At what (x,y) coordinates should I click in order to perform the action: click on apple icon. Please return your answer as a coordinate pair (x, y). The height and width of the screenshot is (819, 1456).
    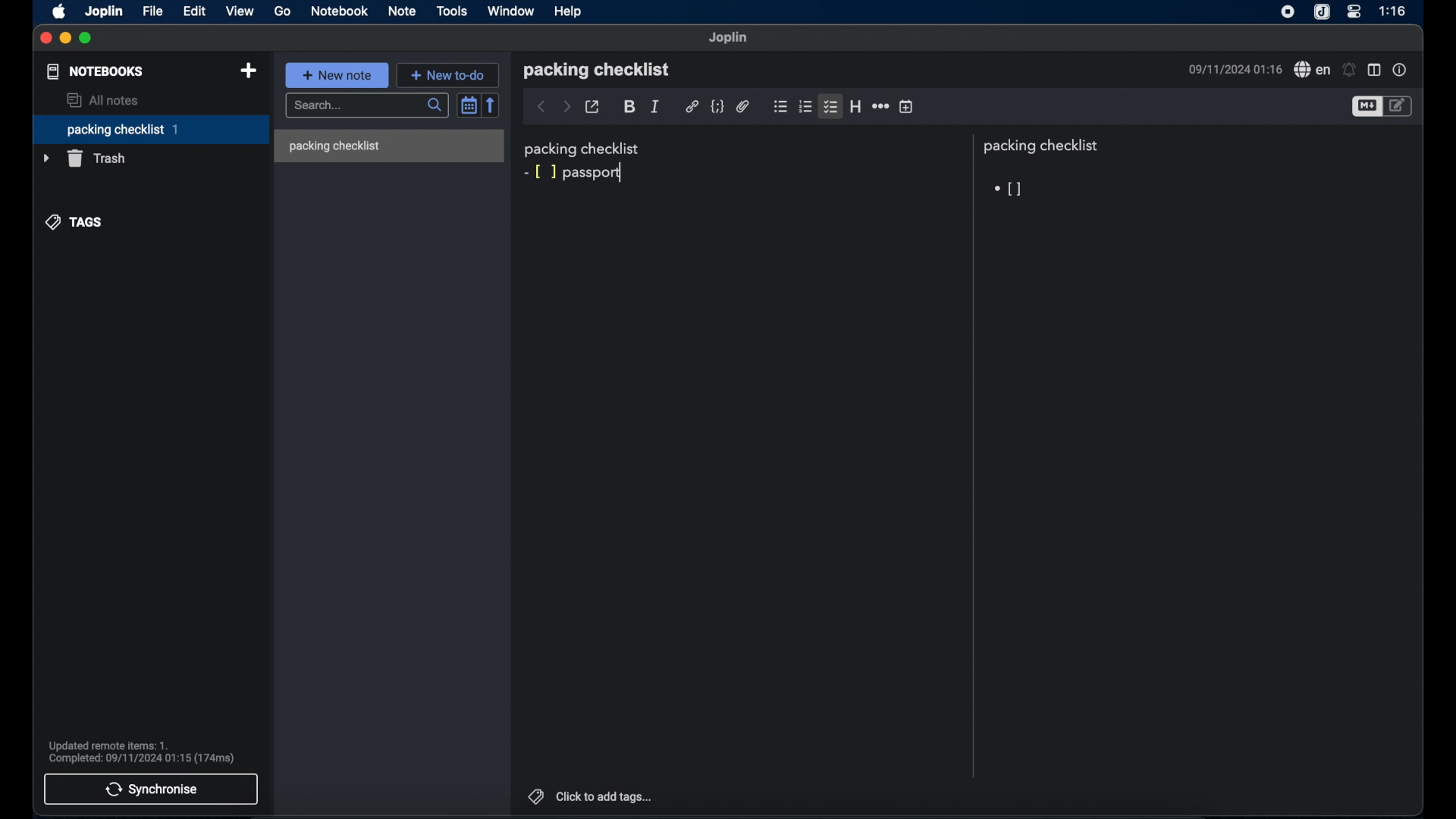
    Looking at the image, I should click on (58, 12).